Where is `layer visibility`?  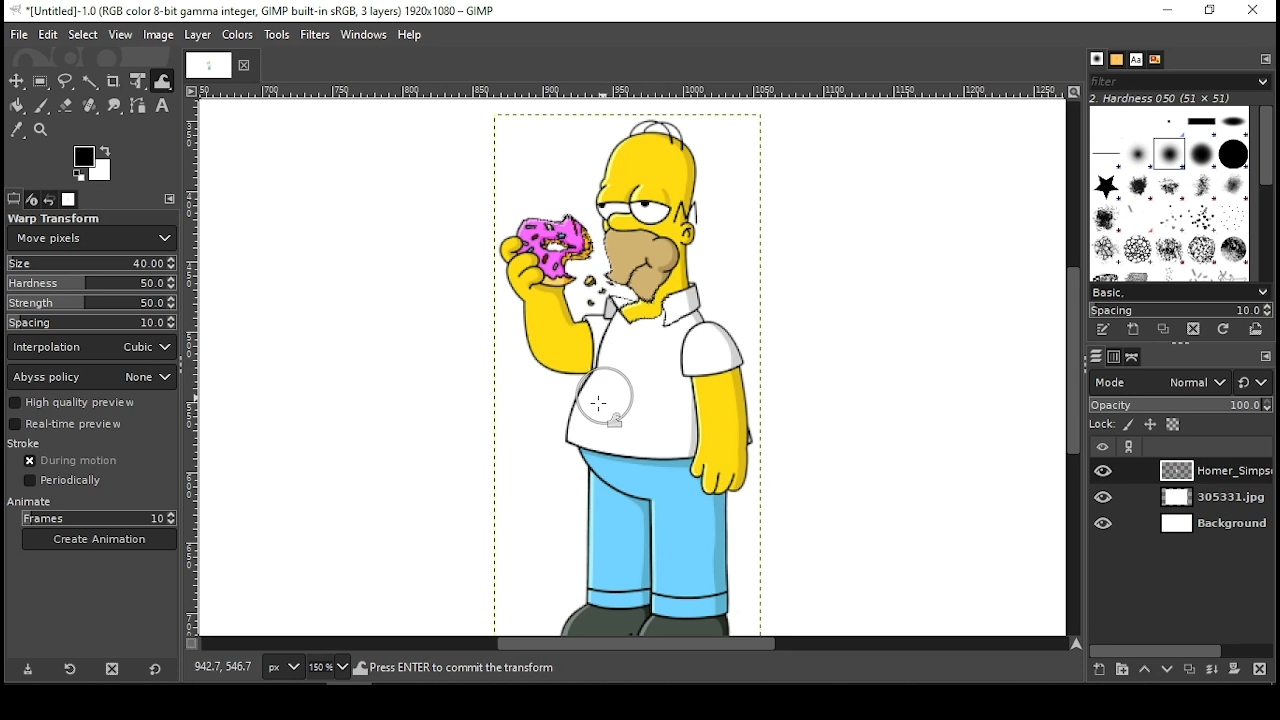 layer visibility is located at coordinates (1101, 446).